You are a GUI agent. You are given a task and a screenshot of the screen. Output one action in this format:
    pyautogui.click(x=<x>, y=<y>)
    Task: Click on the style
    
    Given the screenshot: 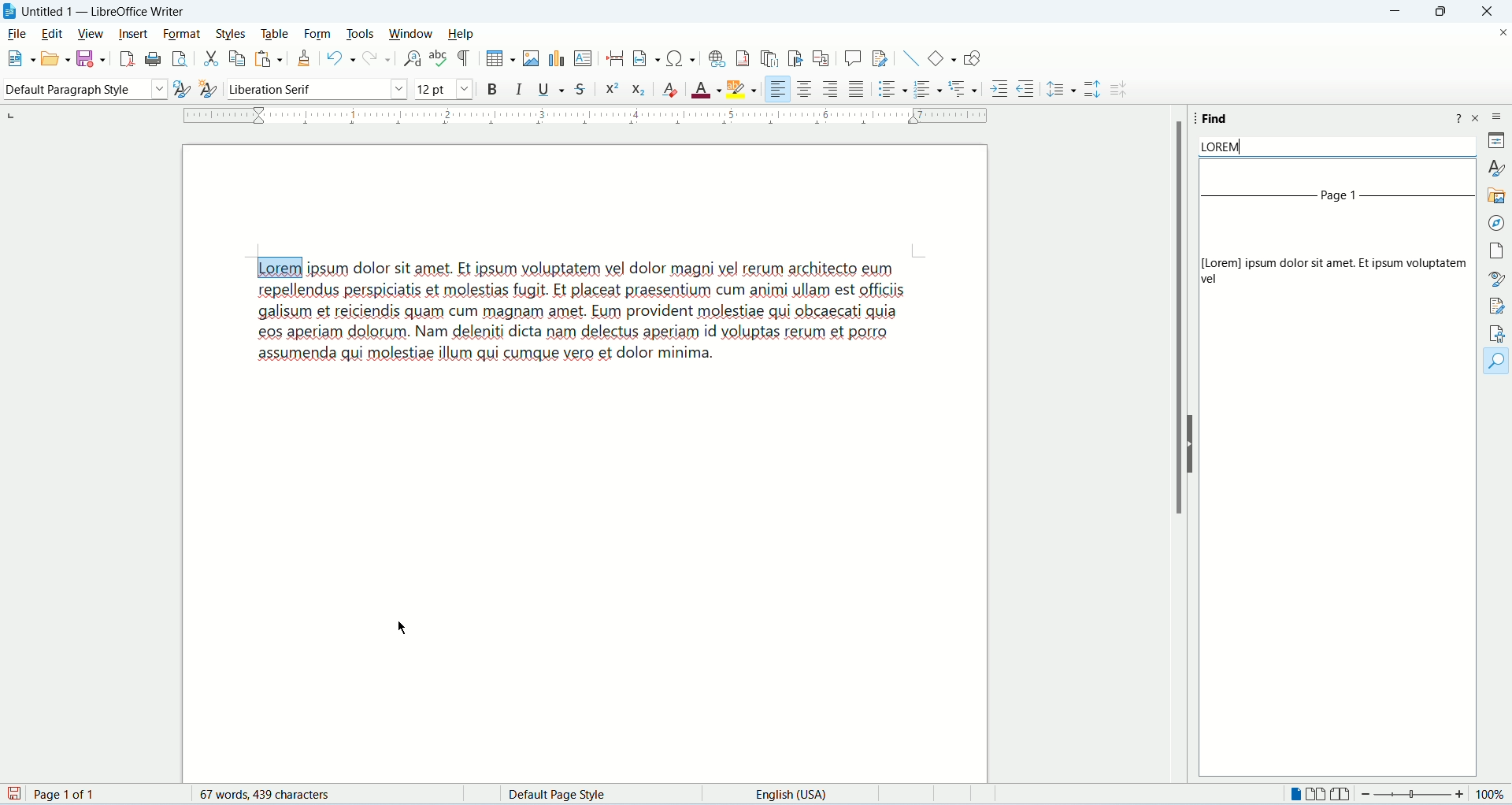 What is the action you would take?
    pyautogui.click(x=1494, y=168)
    